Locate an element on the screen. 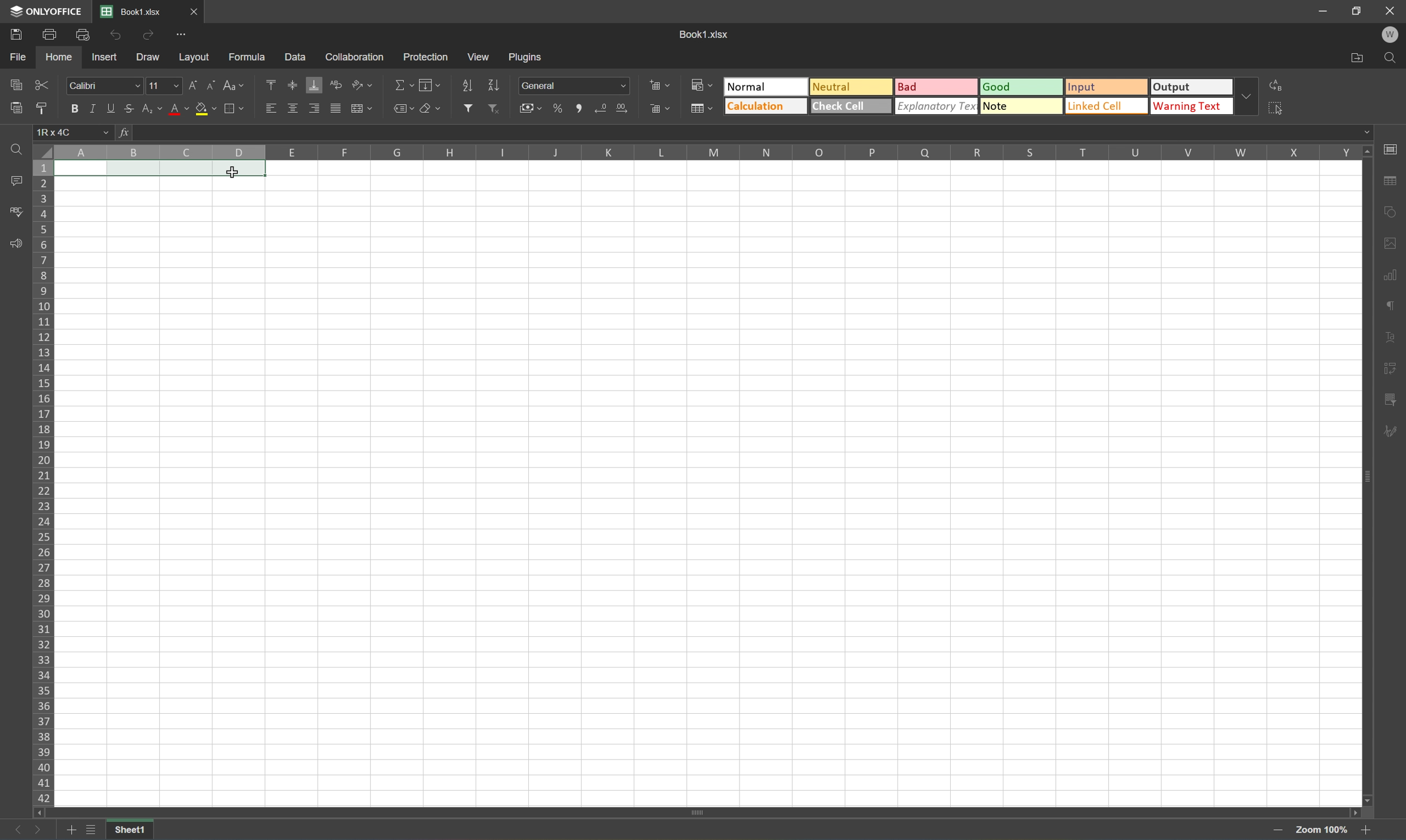 The image size is (1406, 840). Cursor is located at coordinates (234, 173).